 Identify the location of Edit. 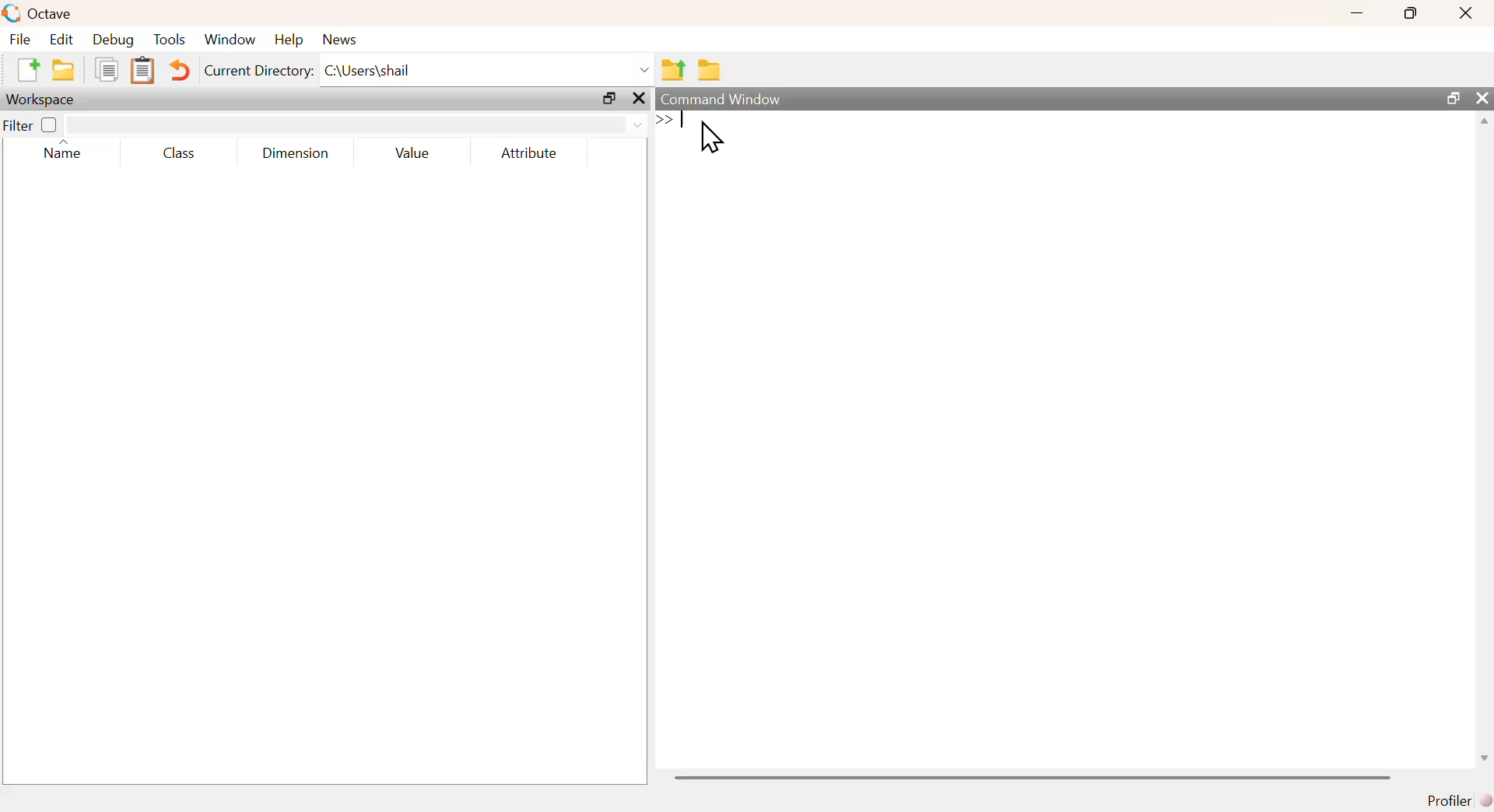
(63, 39).